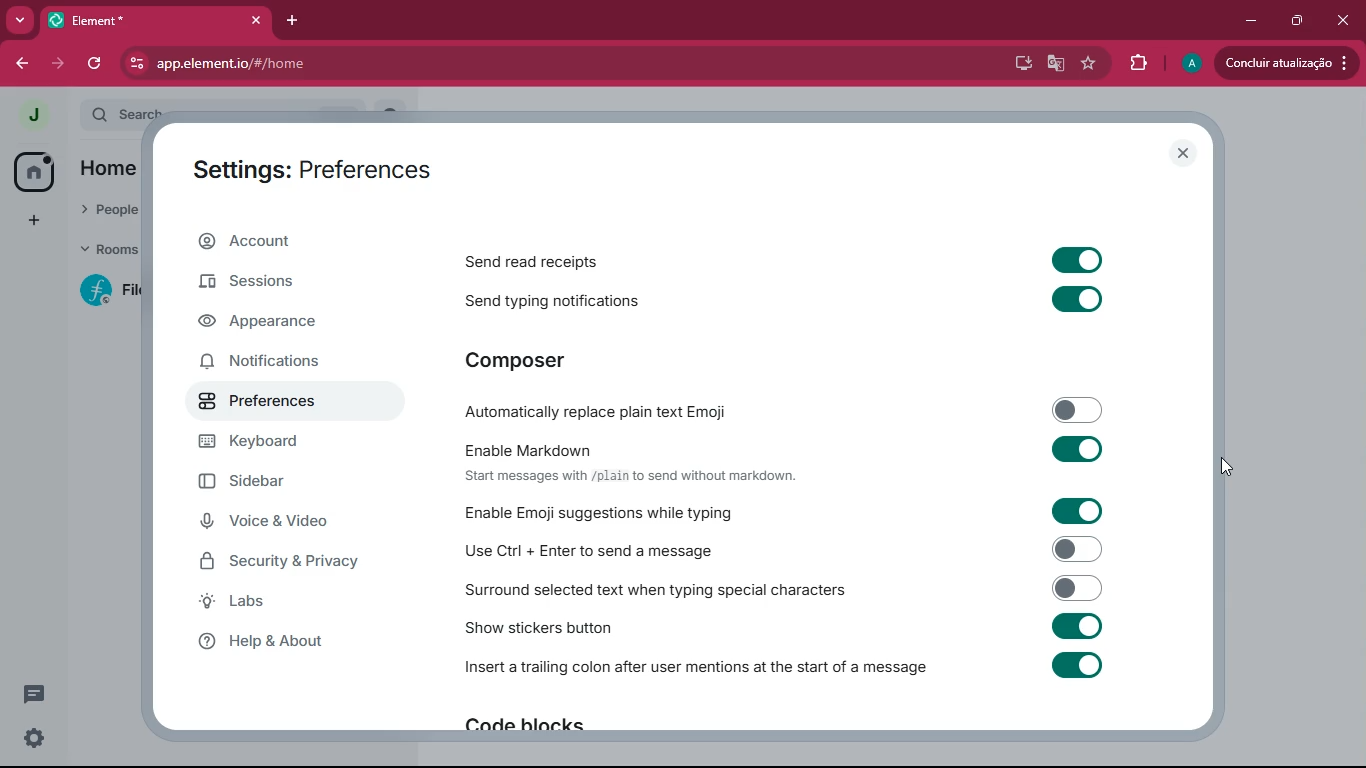 The width and height of the screenshot is (1366, 768). I want to click on add tab, so click(296, 20).